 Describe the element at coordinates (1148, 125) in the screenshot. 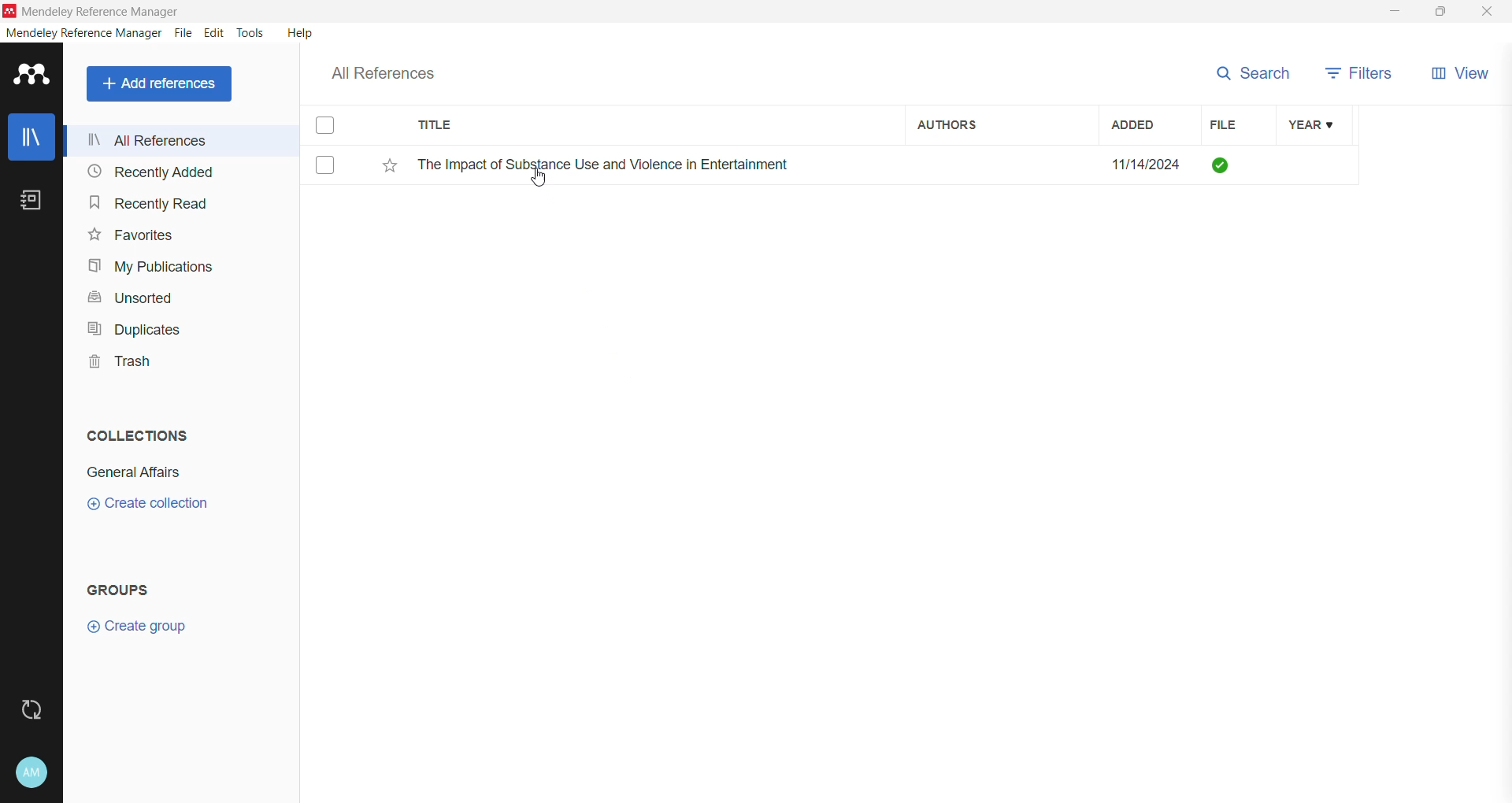

I see `Added` at that location.